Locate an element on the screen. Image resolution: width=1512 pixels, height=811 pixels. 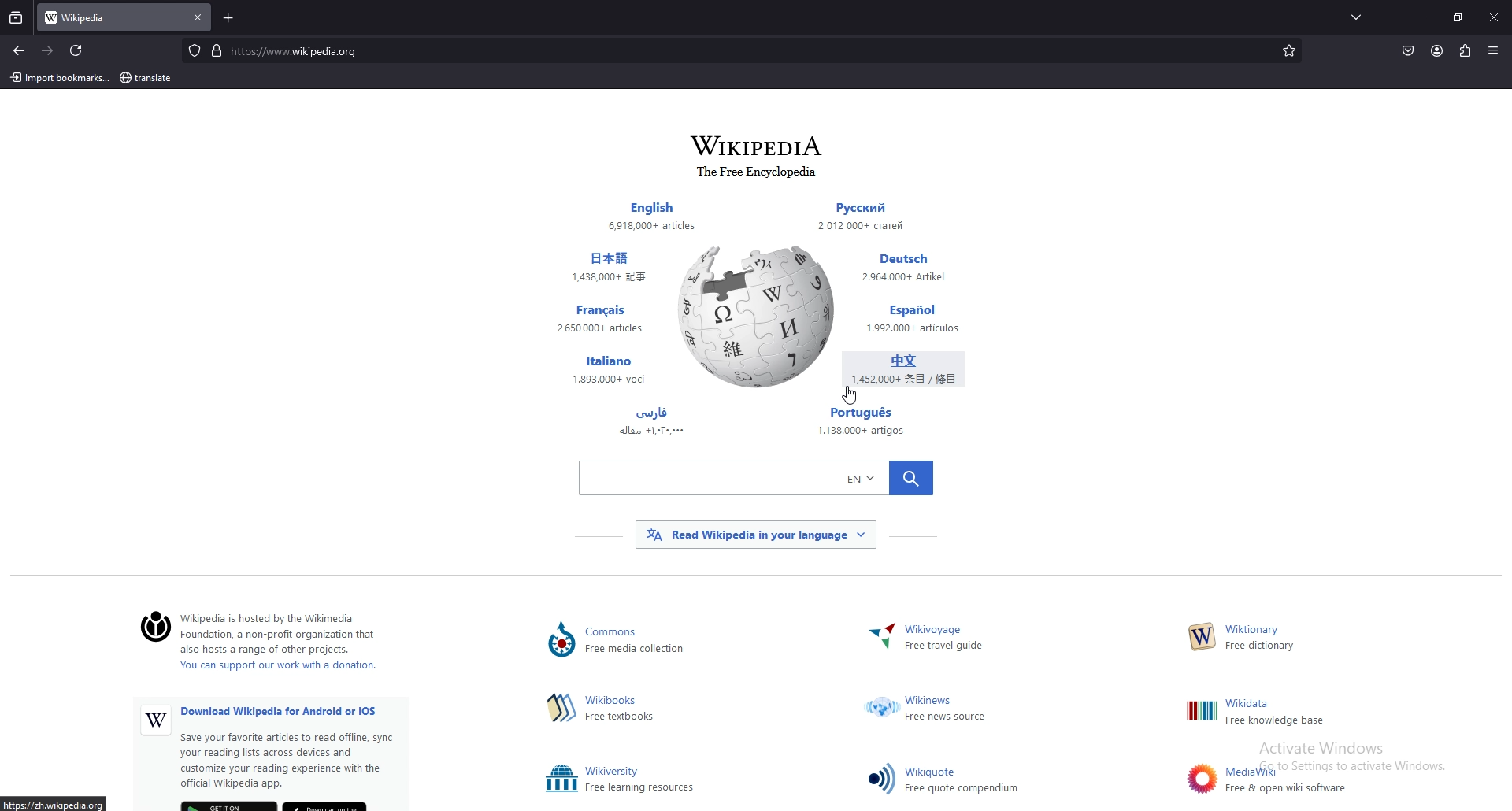
 is located at coordinates (598, 320).